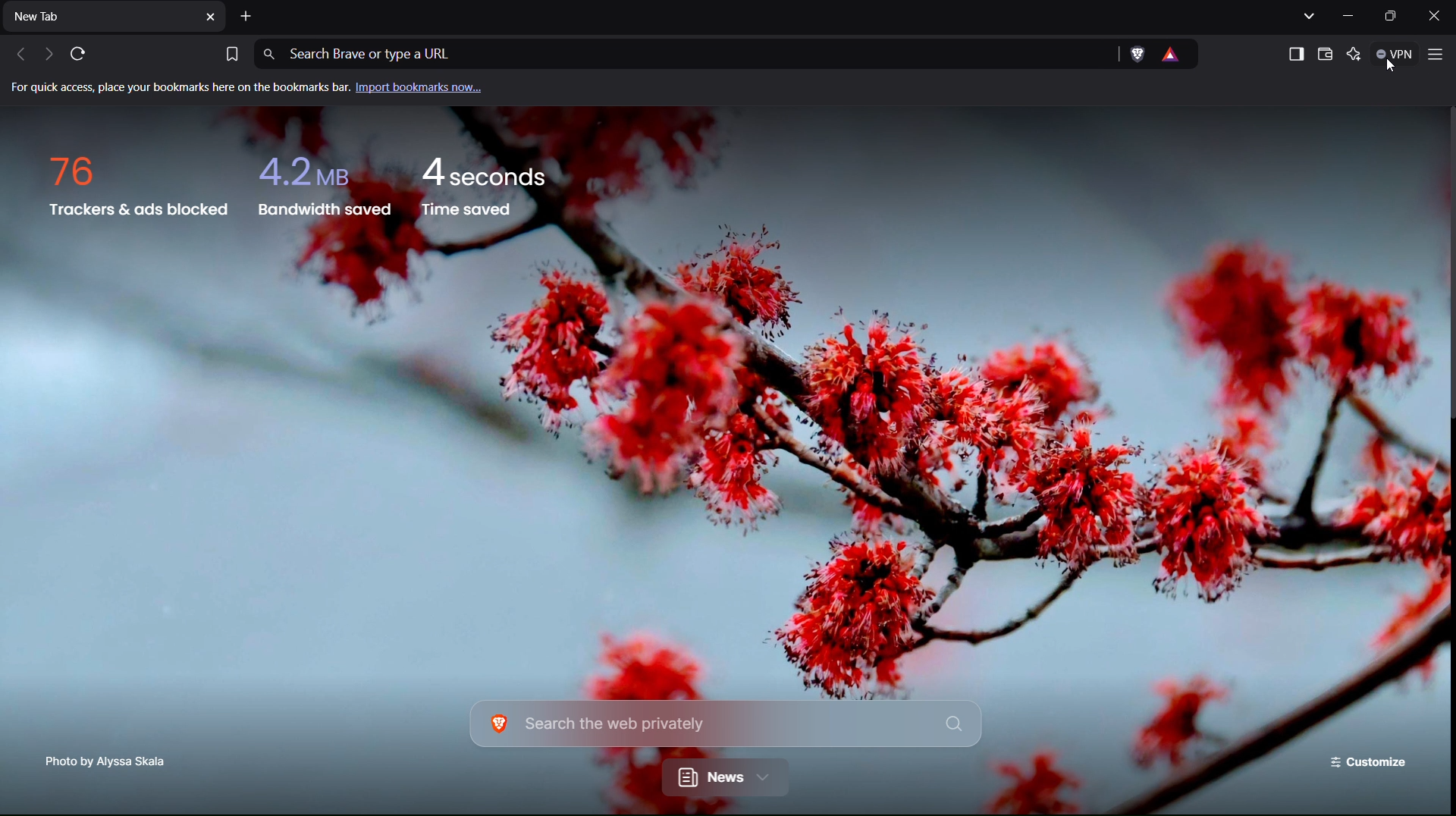 This screenshot has width=1456, height=816. I want to click on Back, so click(17, 55).